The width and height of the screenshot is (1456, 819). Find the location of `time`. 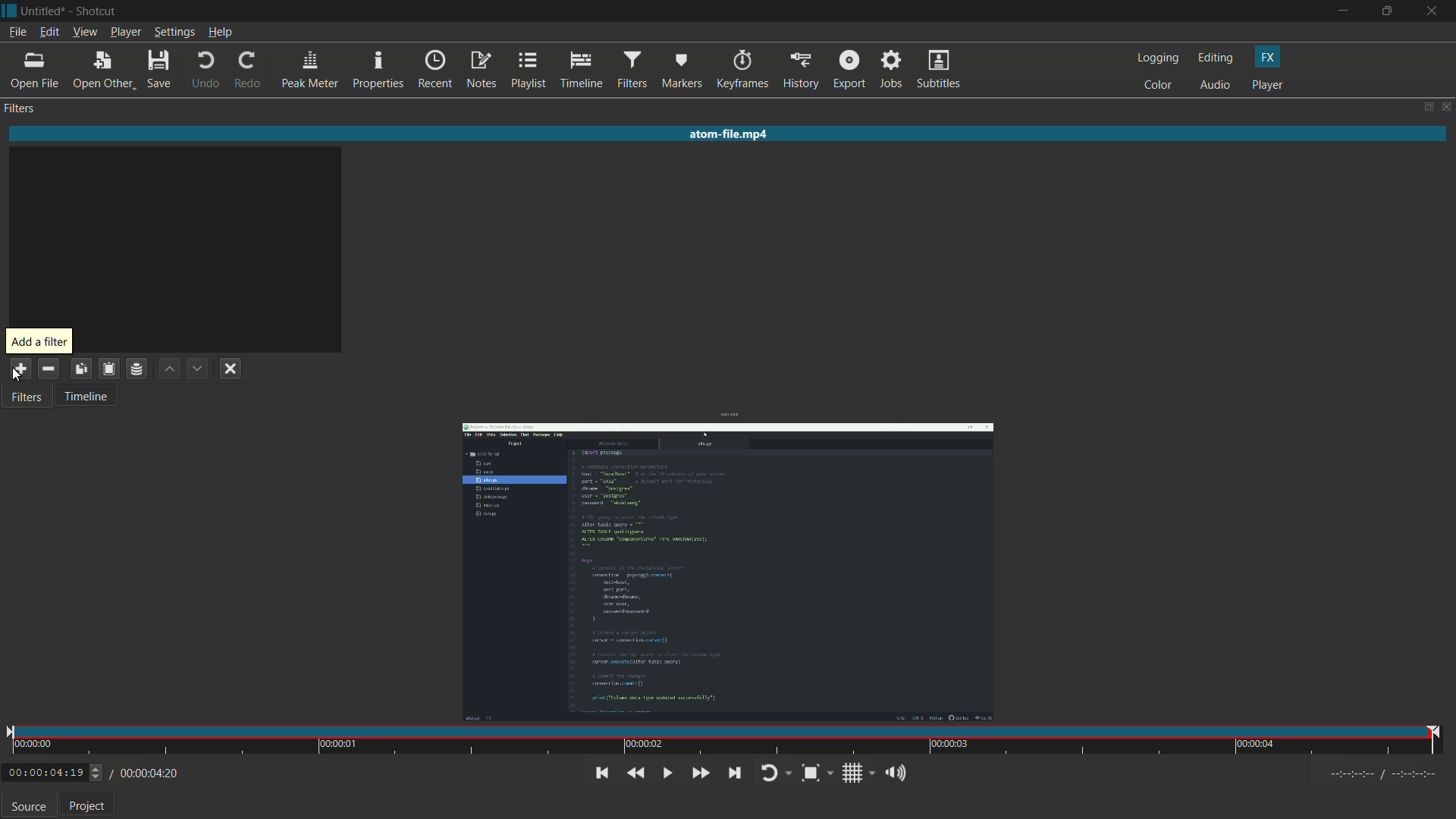

time is located at coordinates (726, 741).